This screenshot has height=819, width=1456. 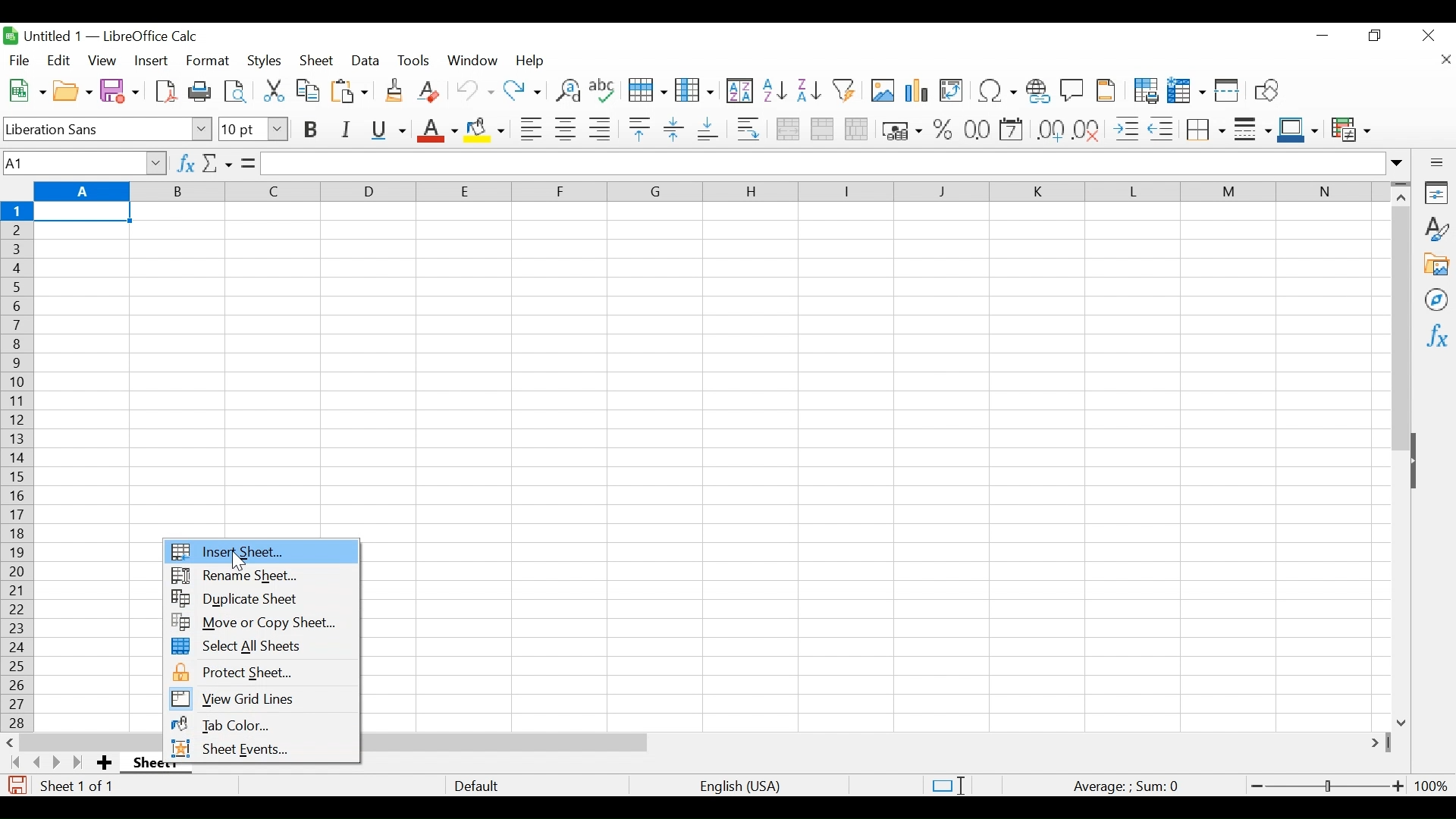 What do you see at coordinates (262, 673) in the screenshot?
I see `Protect Sheet` at bounding box center [262, 673].